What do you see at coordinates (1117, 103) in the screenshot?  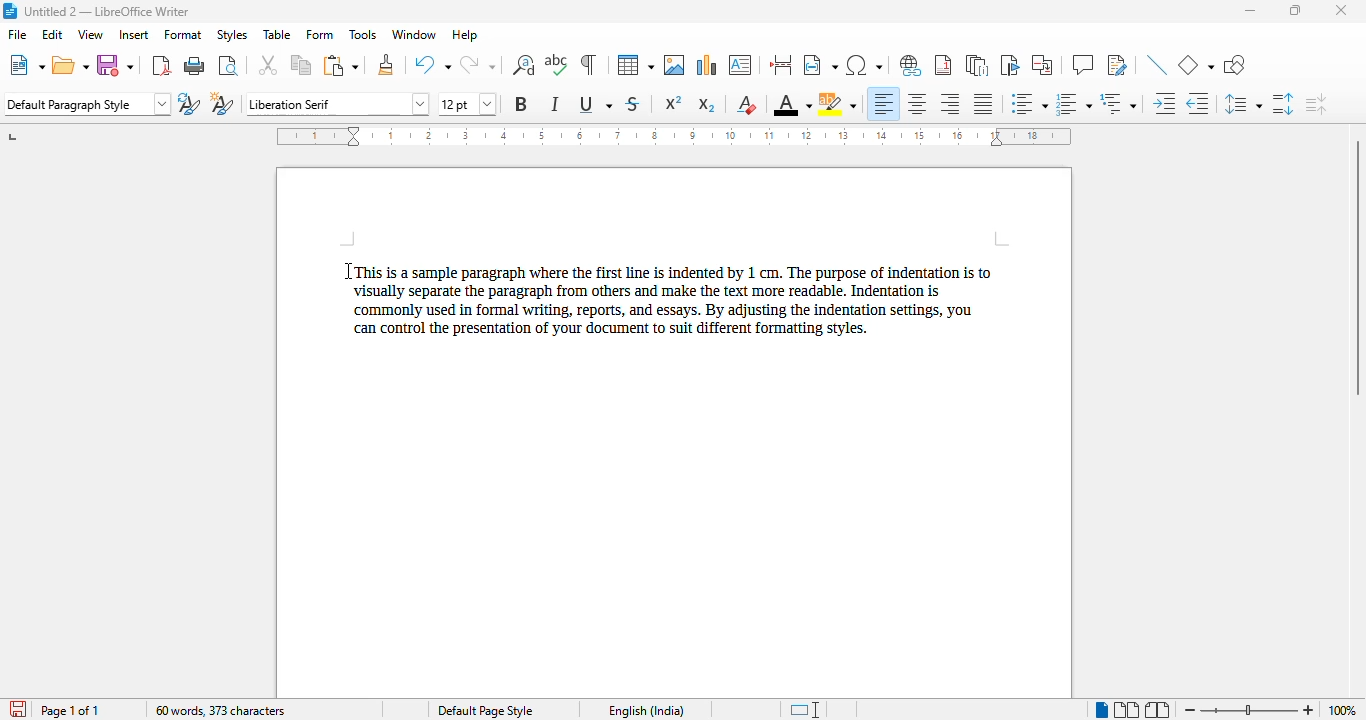 I see `select outline format` at bounding box center [1117, 103].